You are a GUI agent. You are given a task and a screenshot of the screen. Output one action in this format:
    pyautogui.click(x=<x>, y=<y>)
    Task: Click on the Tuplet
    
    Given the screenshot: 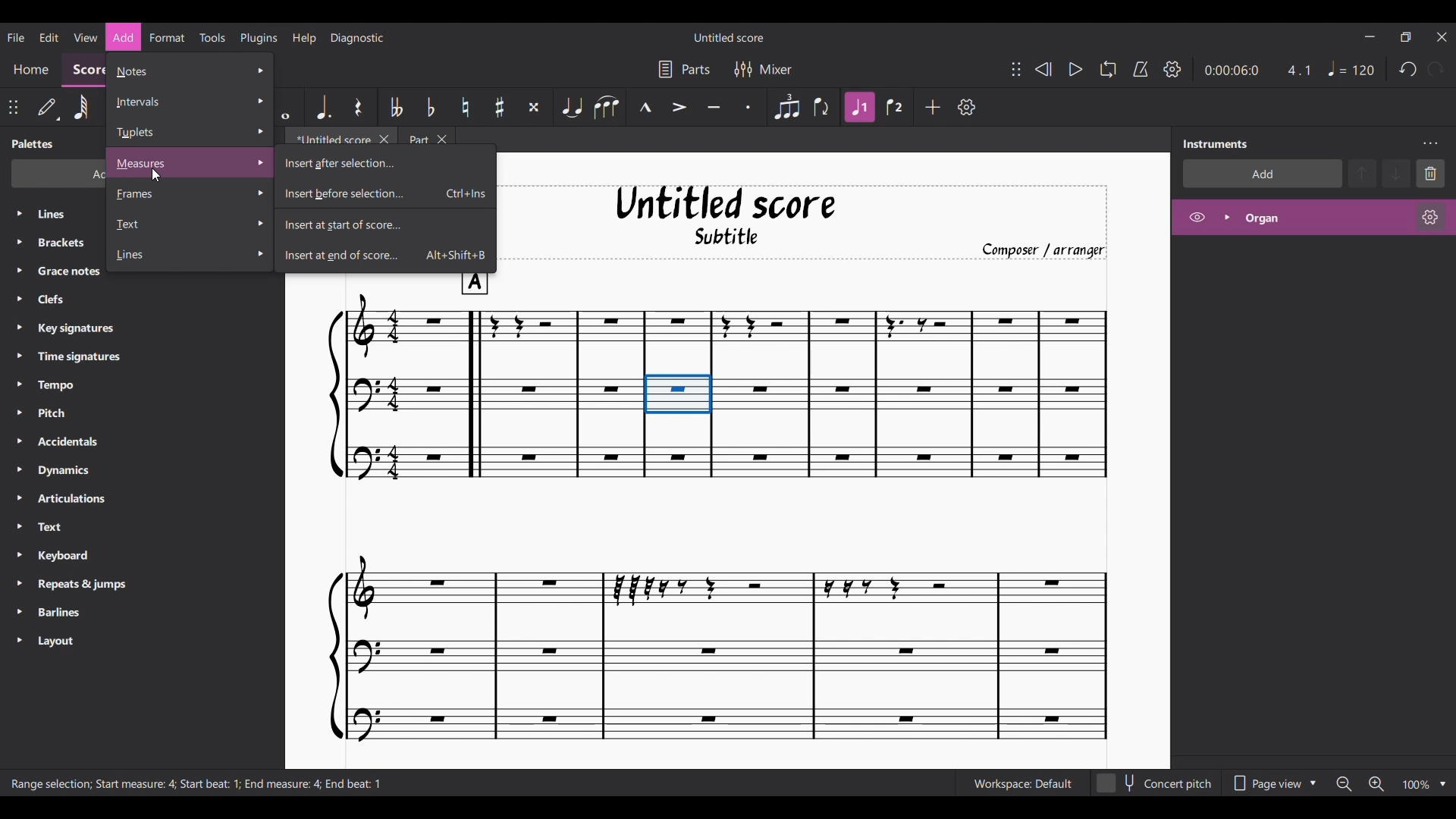 What is the action you would take?
    pyautogui.click(x=787, y=108)
    